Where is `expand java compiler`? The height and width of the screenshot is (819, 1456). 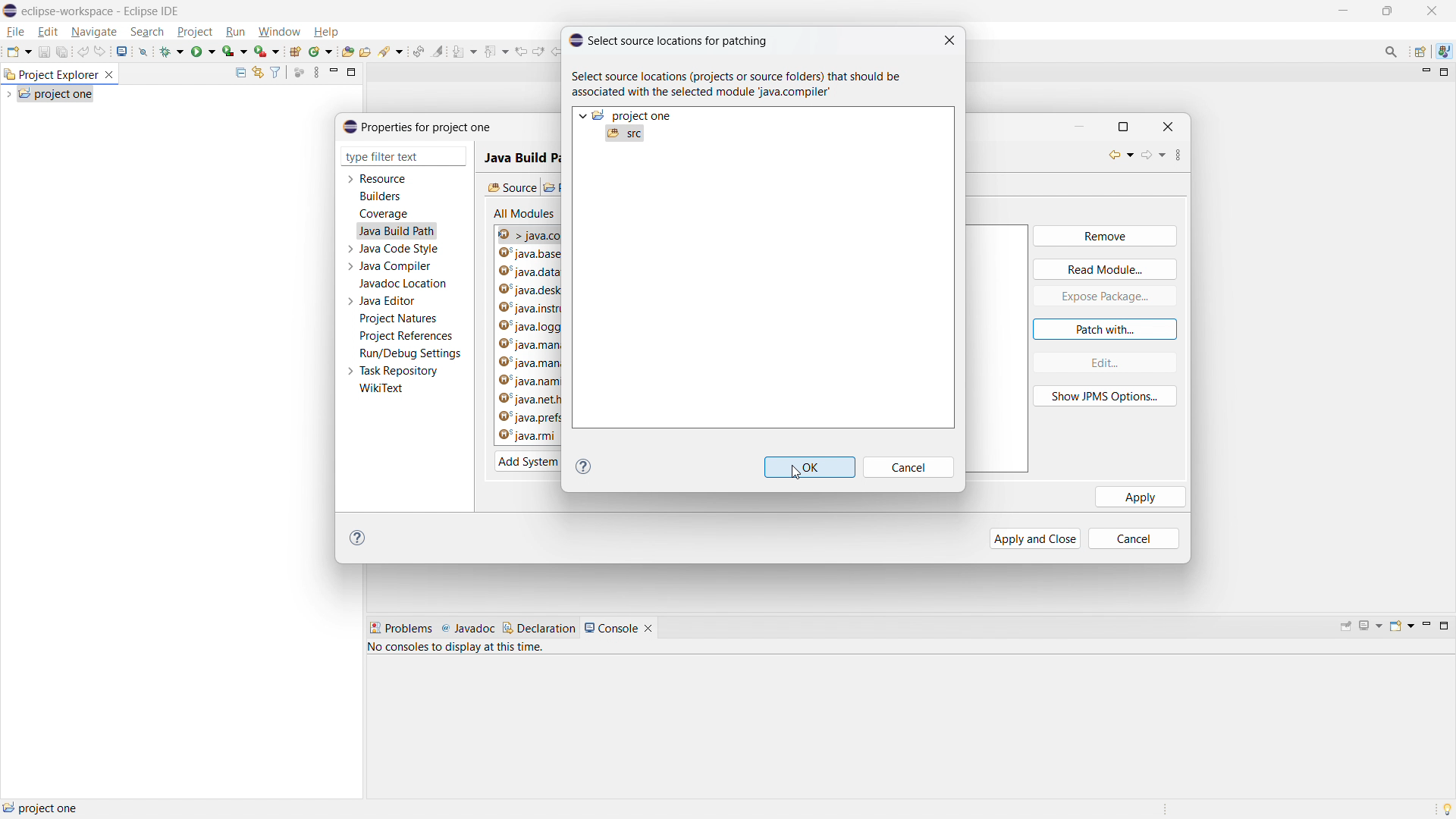
expand java compiler is located at coordinates (350, 266).